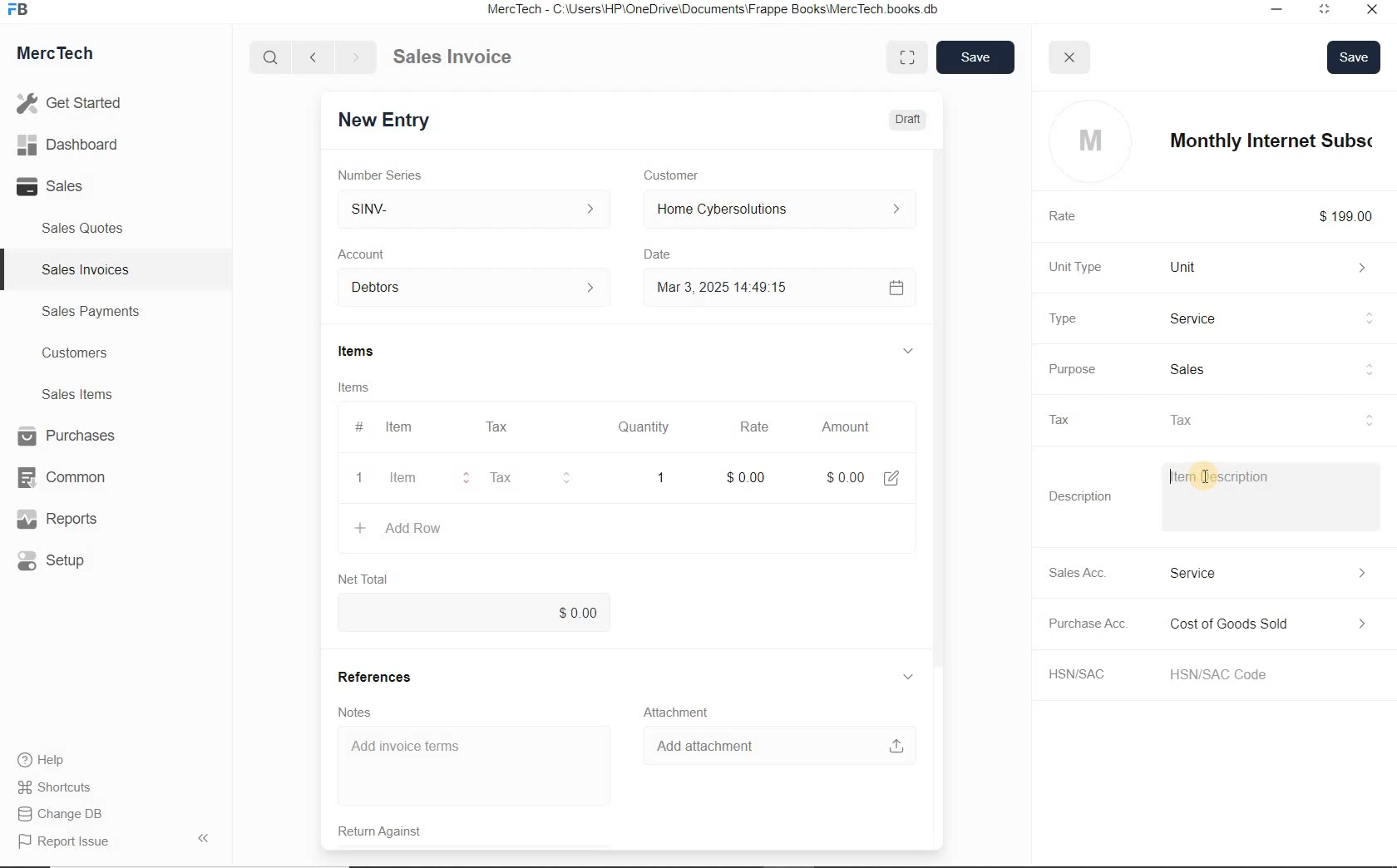 This screenshot has width=1397, height=868. I want to click on profile logo, so click(1086, 141).